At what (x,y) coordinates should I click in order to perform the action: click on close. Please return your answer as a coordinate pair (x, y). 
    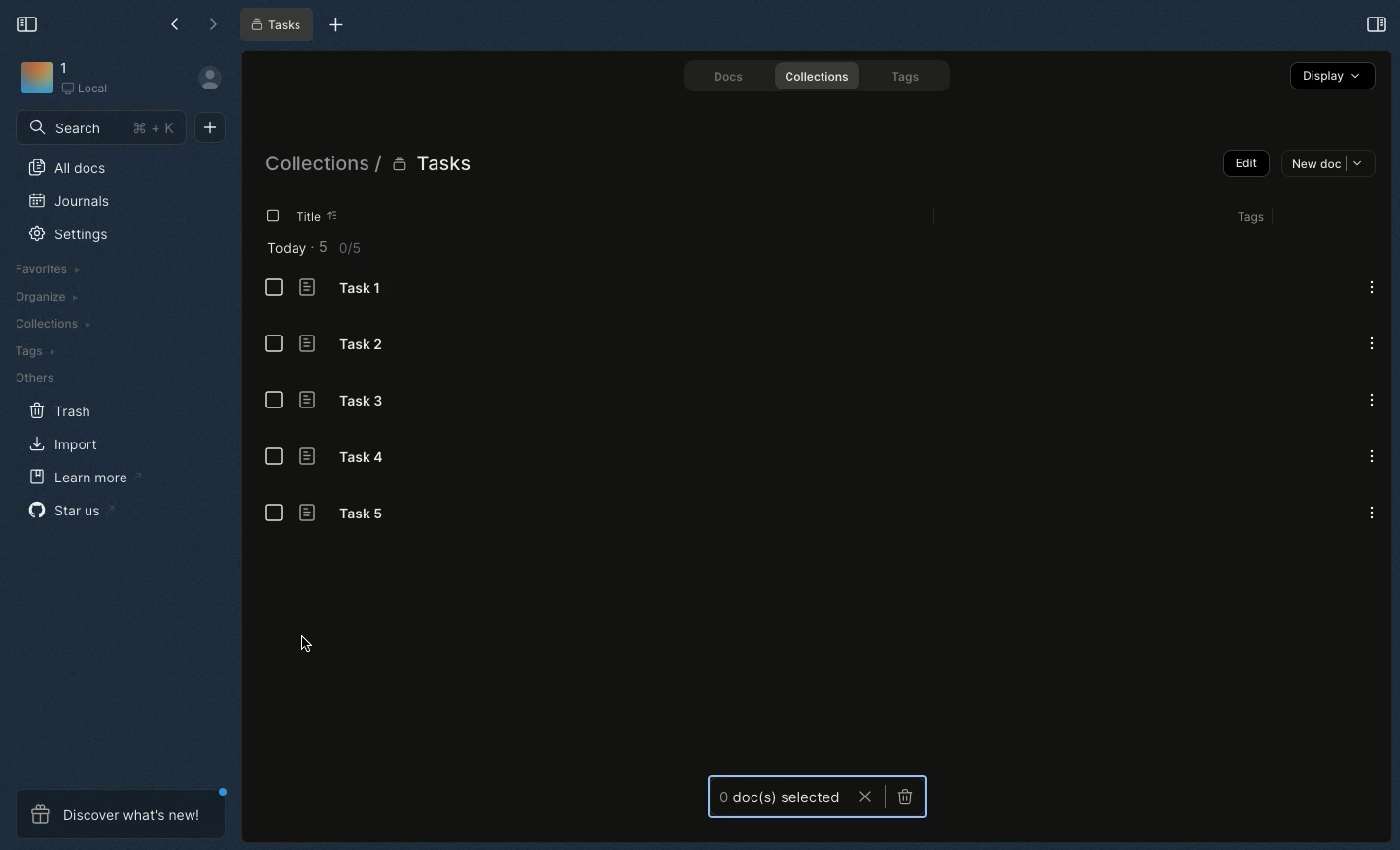
    Looking at the image, I should click on (866, 797).